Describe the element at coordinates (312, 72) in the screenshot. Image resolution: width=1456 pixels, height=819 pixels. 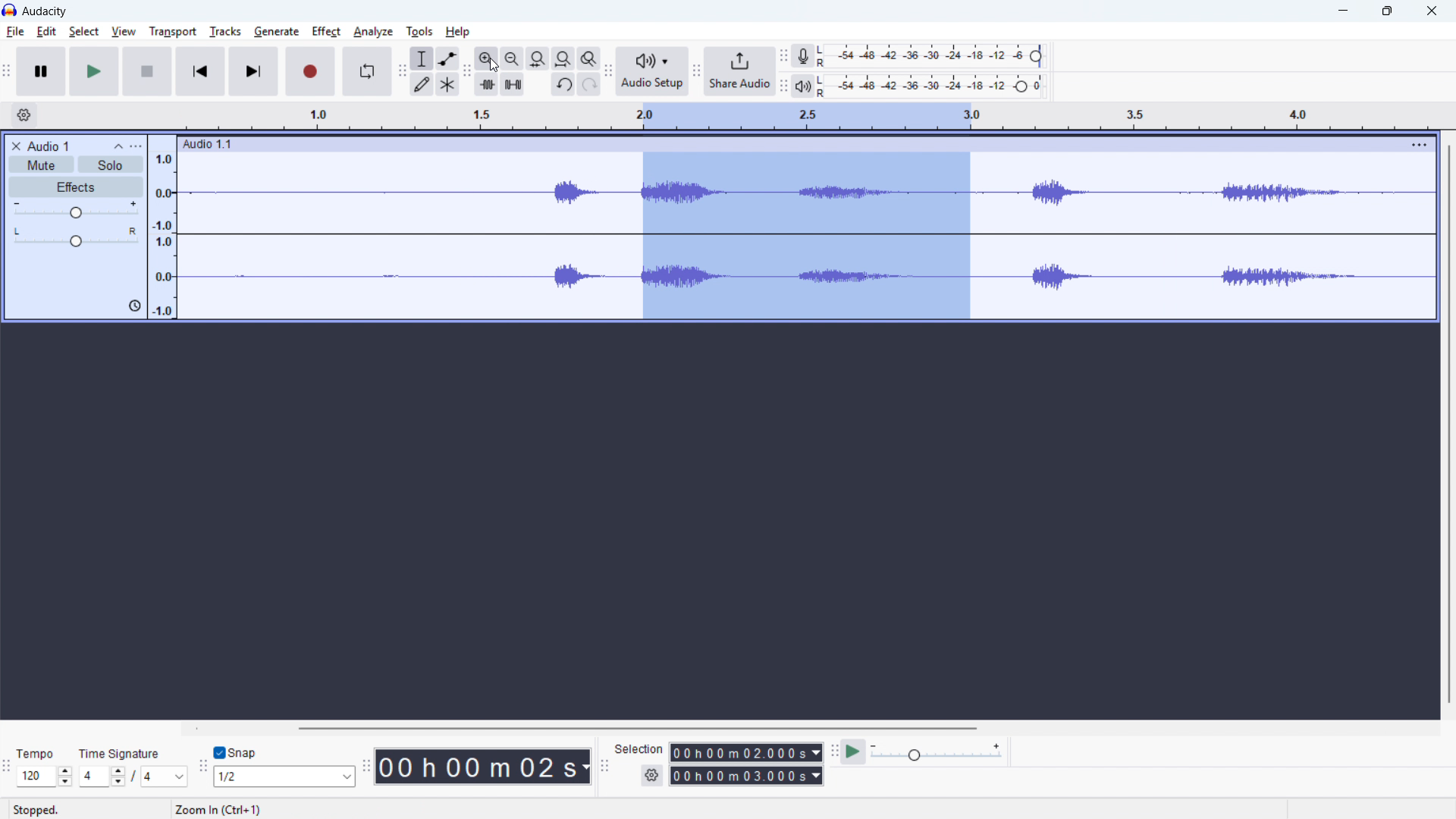
I see `Record` at that location.